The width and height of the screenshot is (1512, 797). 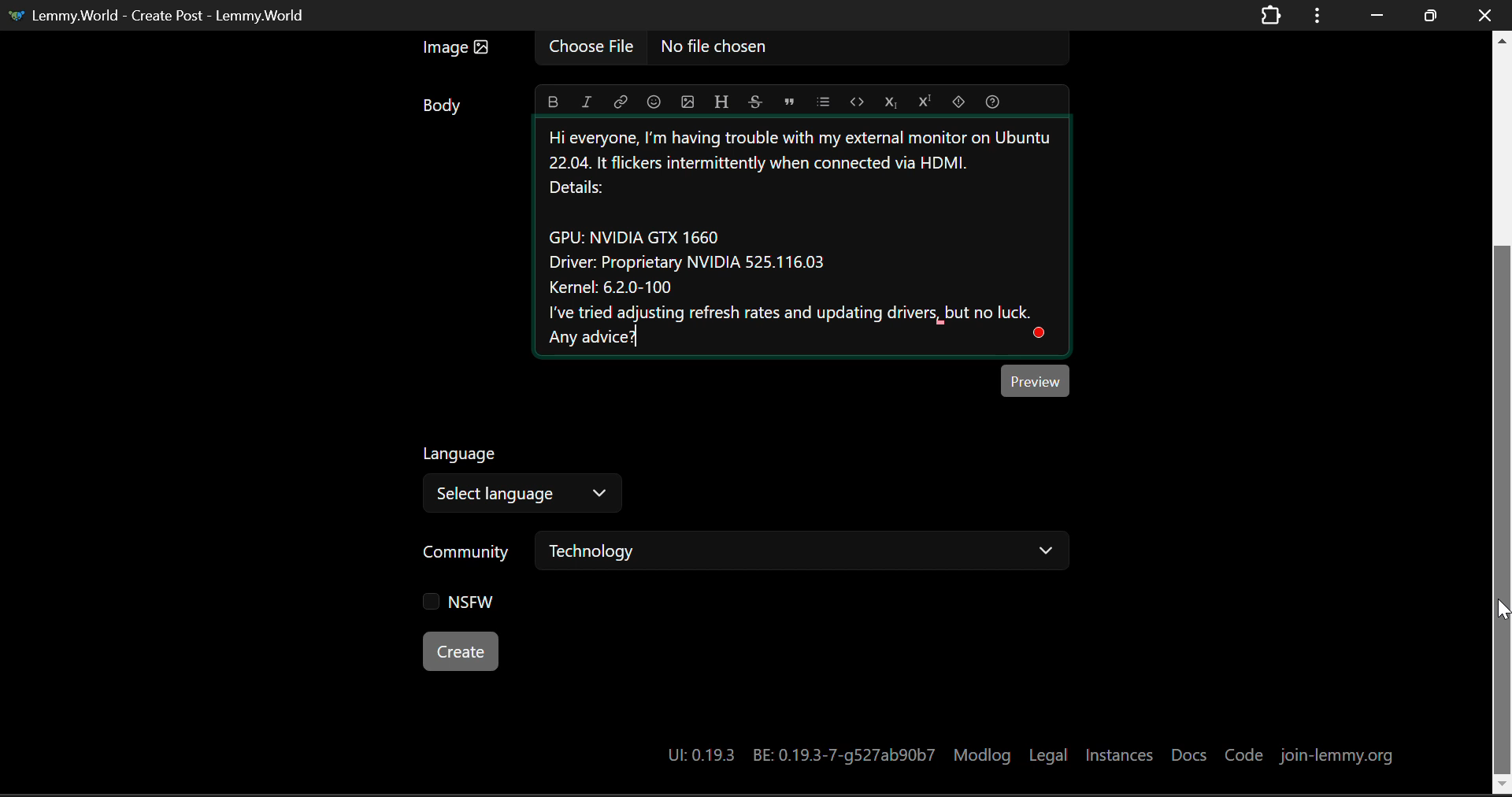 I want to click on Bold, so click(x=554, y=102).